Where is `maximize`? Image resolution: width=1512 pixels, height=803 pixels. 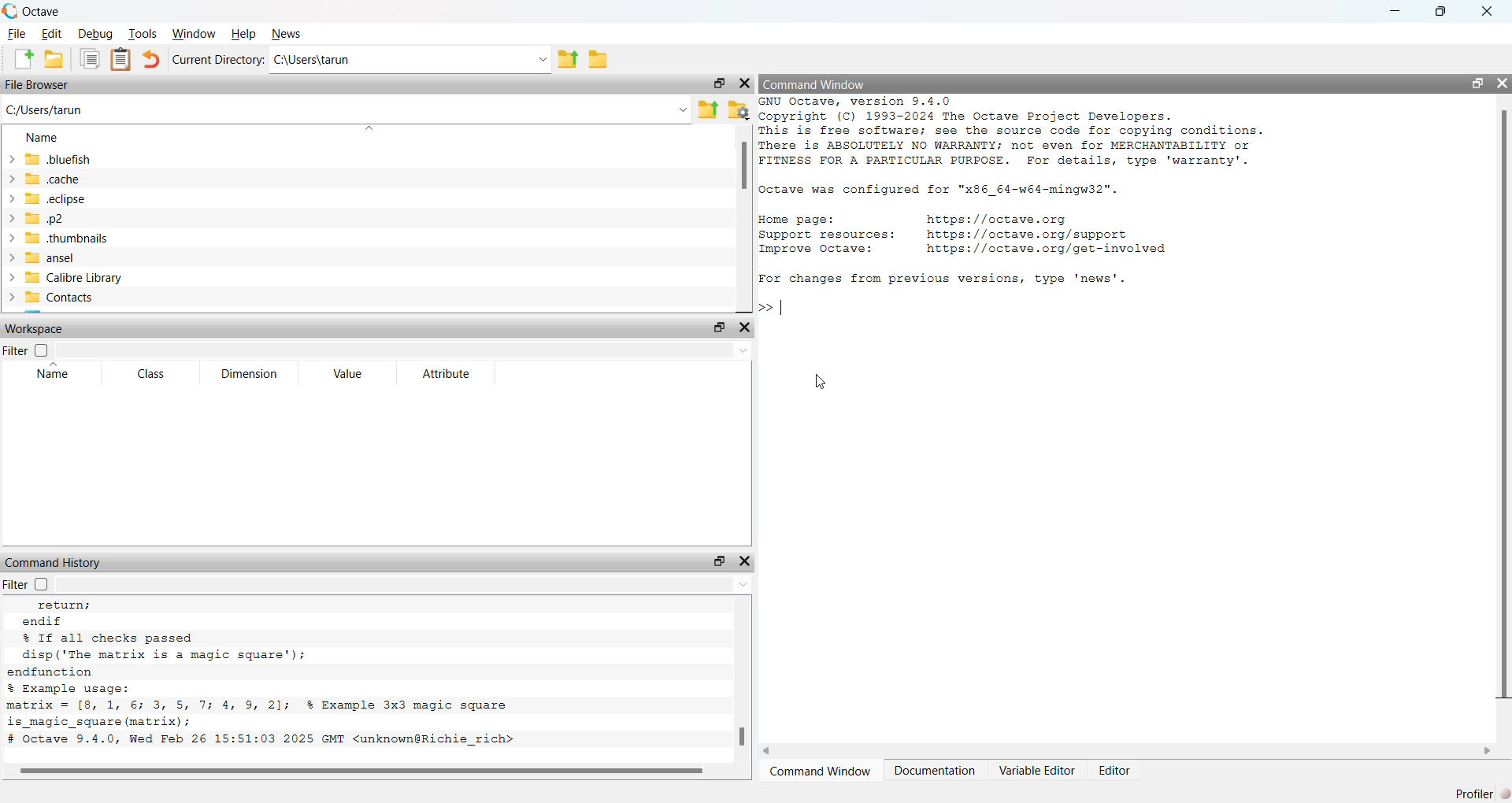 maximize is located at coordinates (717, 561).